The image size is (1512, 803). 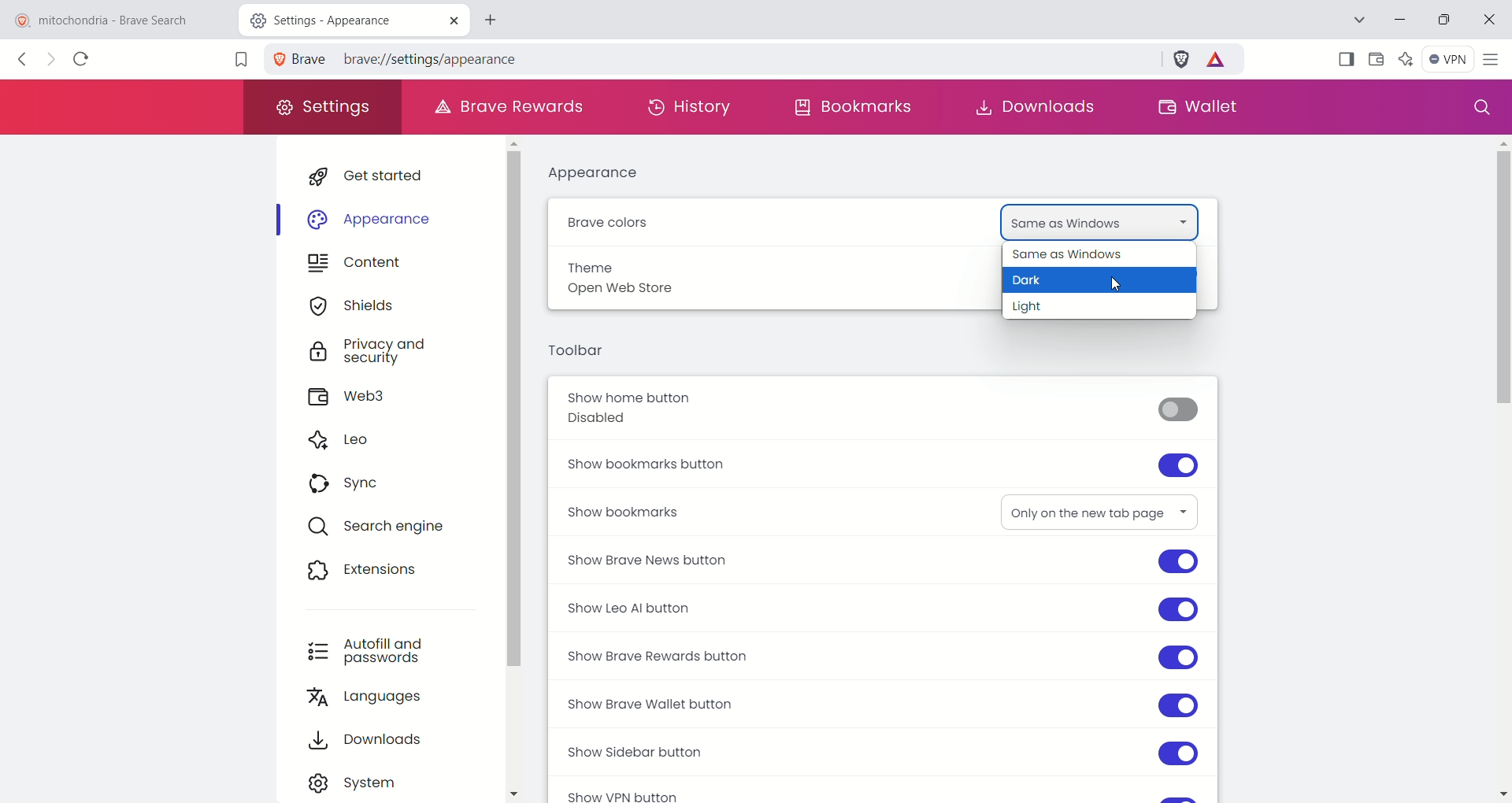 What do you see at coordinates (658, 286) in the screenshot?
I see `theme open web store` at bounding box center [658, 286].